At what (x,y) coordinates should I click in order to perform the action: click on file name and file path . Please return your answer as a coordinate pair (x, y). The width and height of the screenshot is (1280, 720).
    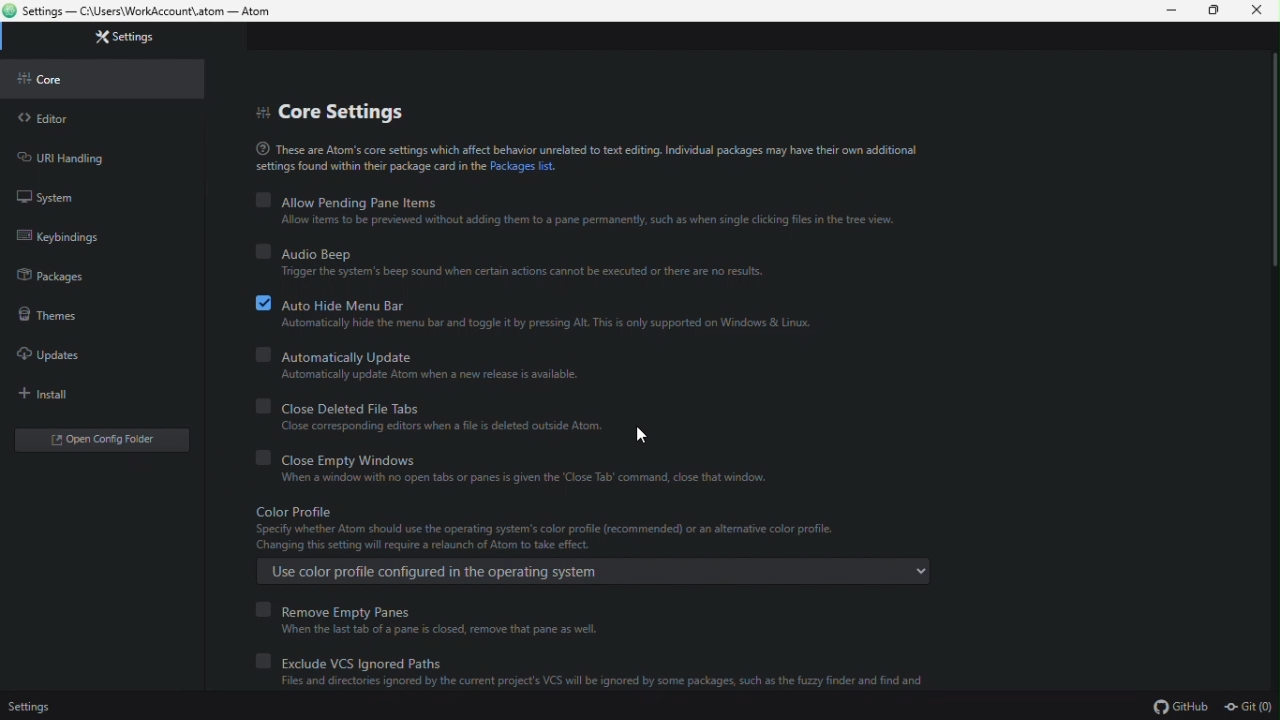
    Looking at the image, I should click on (143, 10).